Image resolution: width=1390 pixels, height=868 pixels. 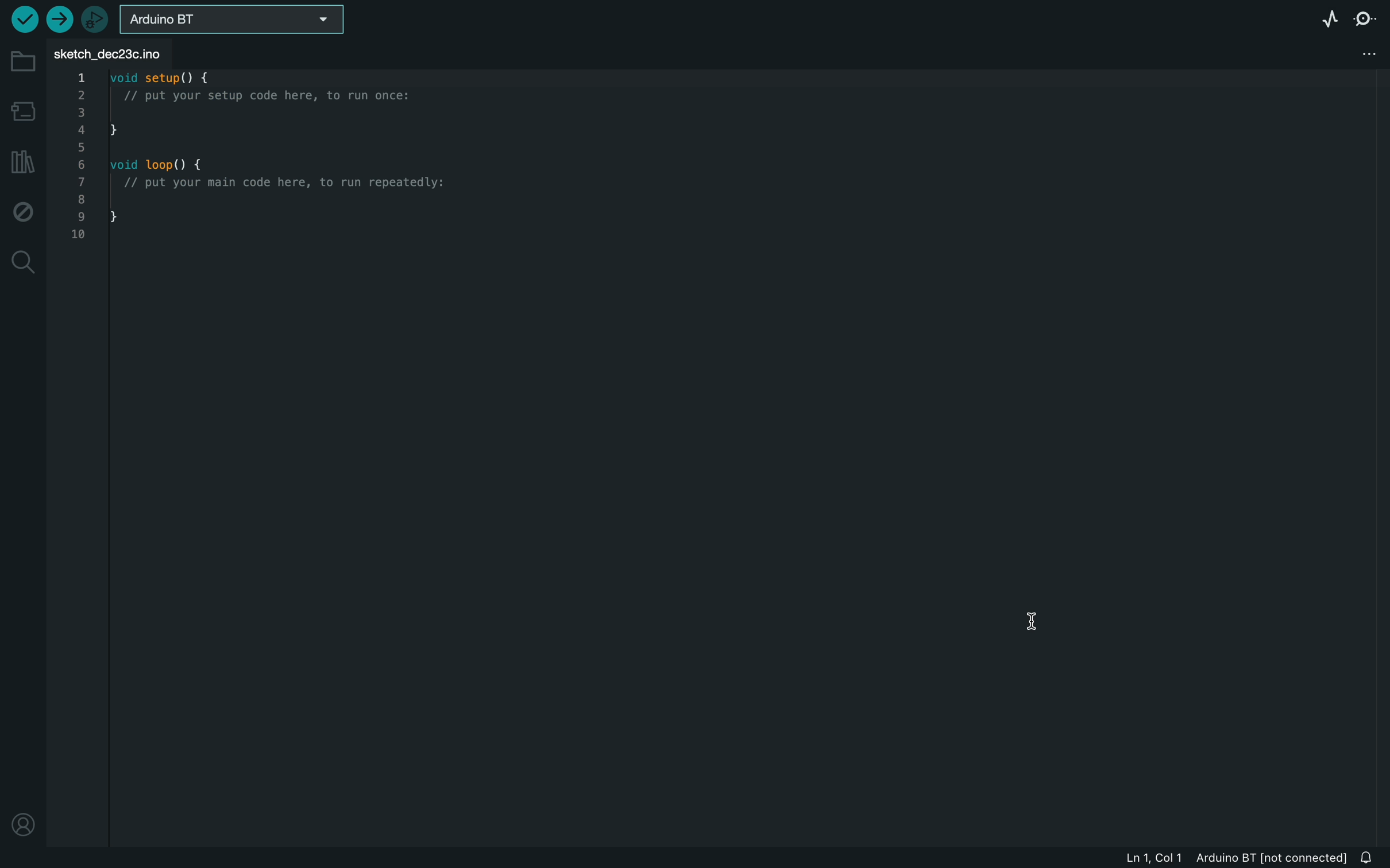 I want to click on file logs, so click(x=1236, y=857).